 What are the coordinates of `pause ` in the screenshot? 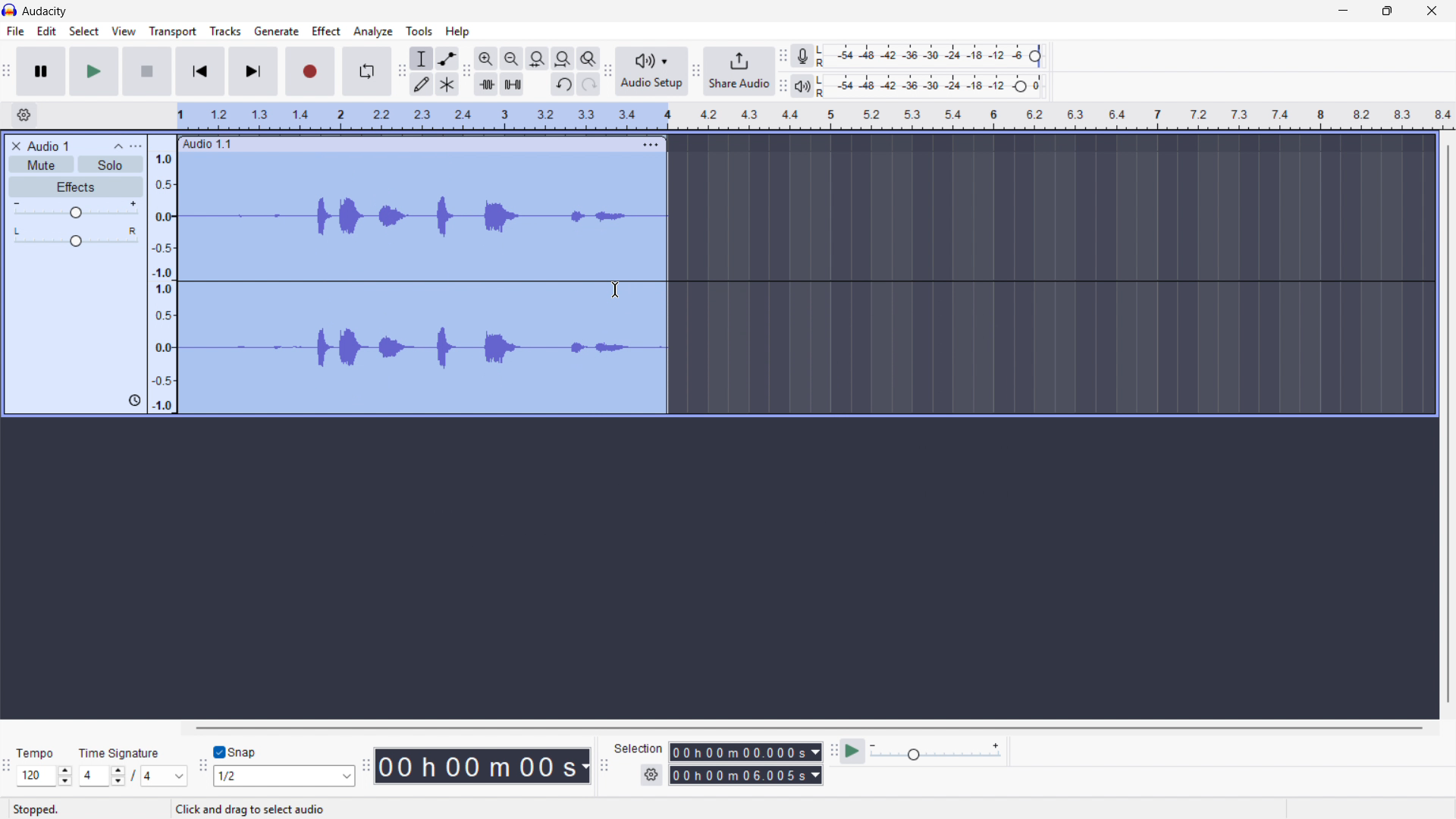 It's located at (40, 71).